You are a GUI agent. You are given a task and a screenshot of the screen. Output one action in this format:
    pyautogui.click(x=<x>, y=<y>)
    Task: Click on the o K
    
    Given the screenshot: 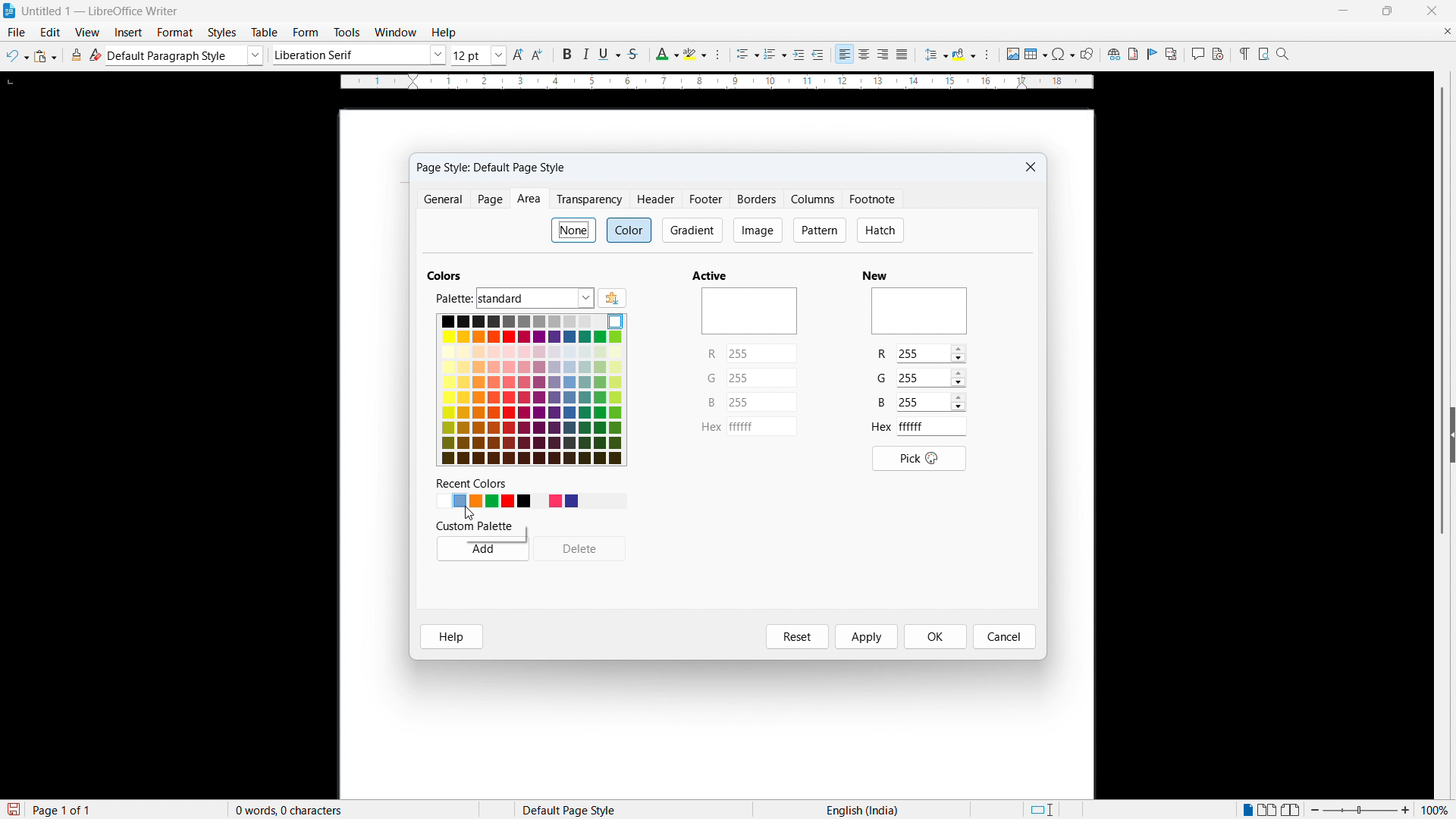 What is the action you would take?
    pyautogui.click(x=937, y=637)
    